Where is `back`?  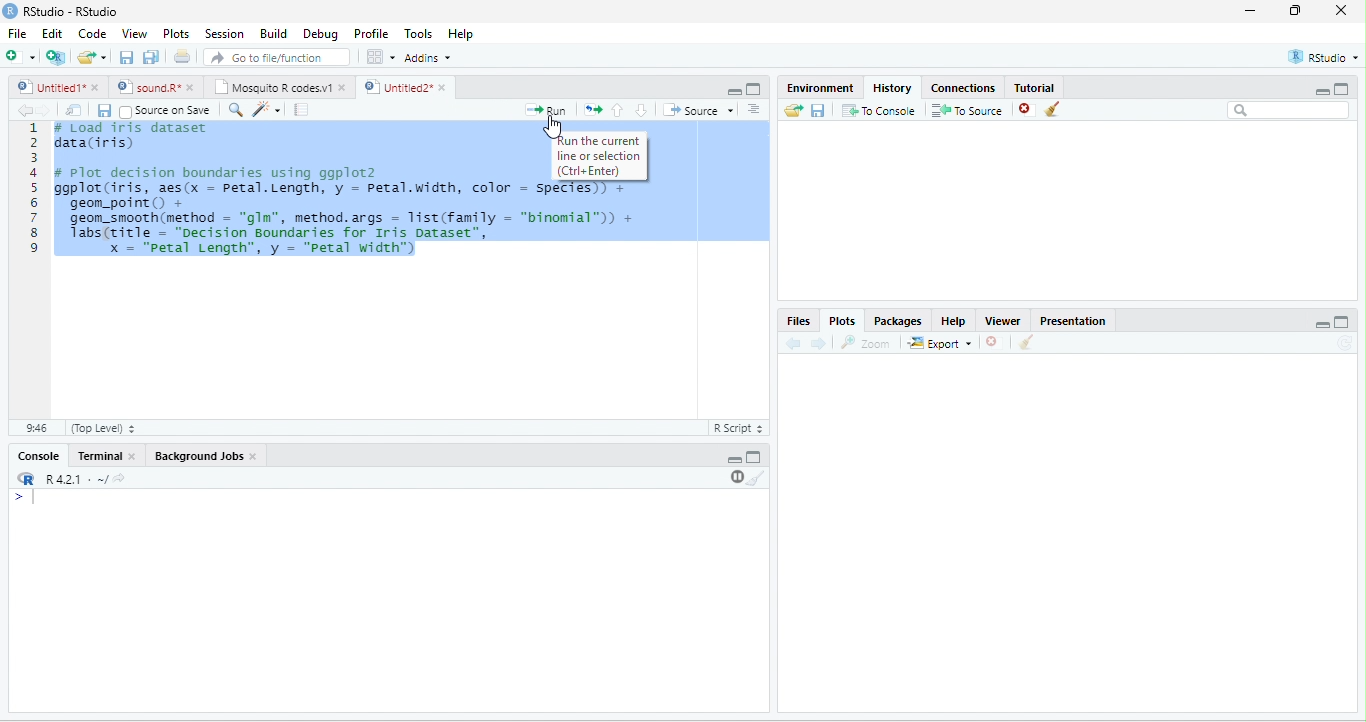 back is located at coordinates (792, 344).